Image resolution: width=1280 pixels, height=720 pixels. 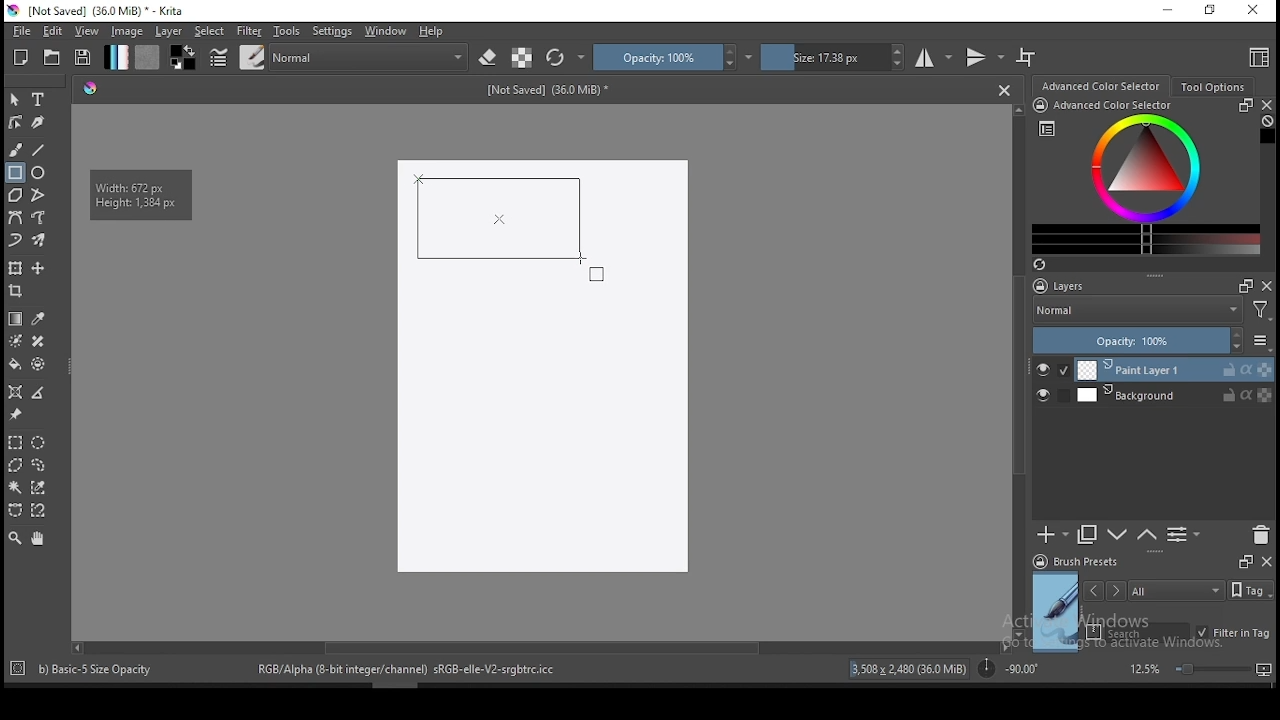 What do you see at coordinates (14, 415) in the screenshot?
I see `reference images tool` at bounding box center [14, 415].